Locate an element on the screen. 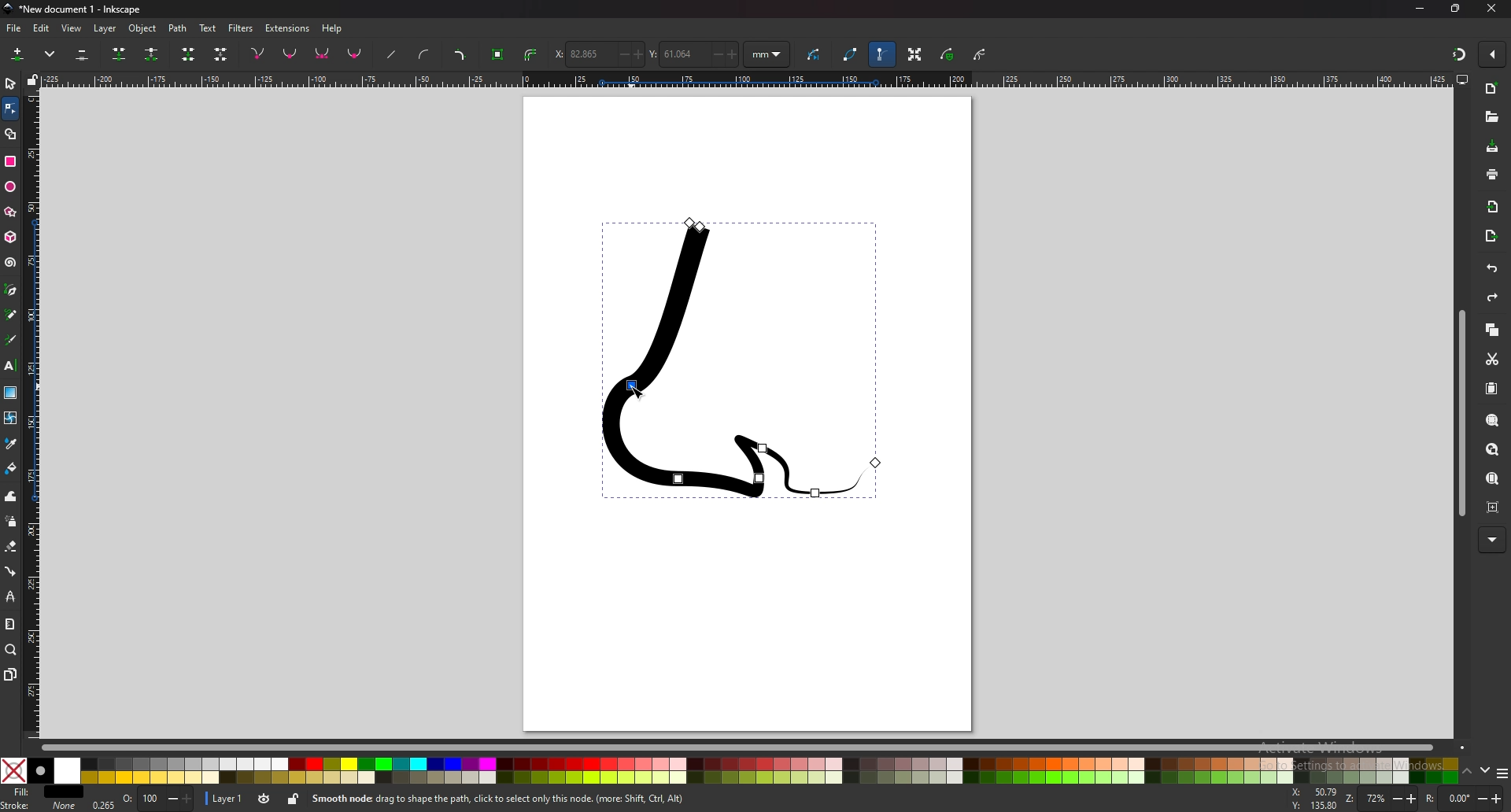  connector is located at coordinates (11, 571).